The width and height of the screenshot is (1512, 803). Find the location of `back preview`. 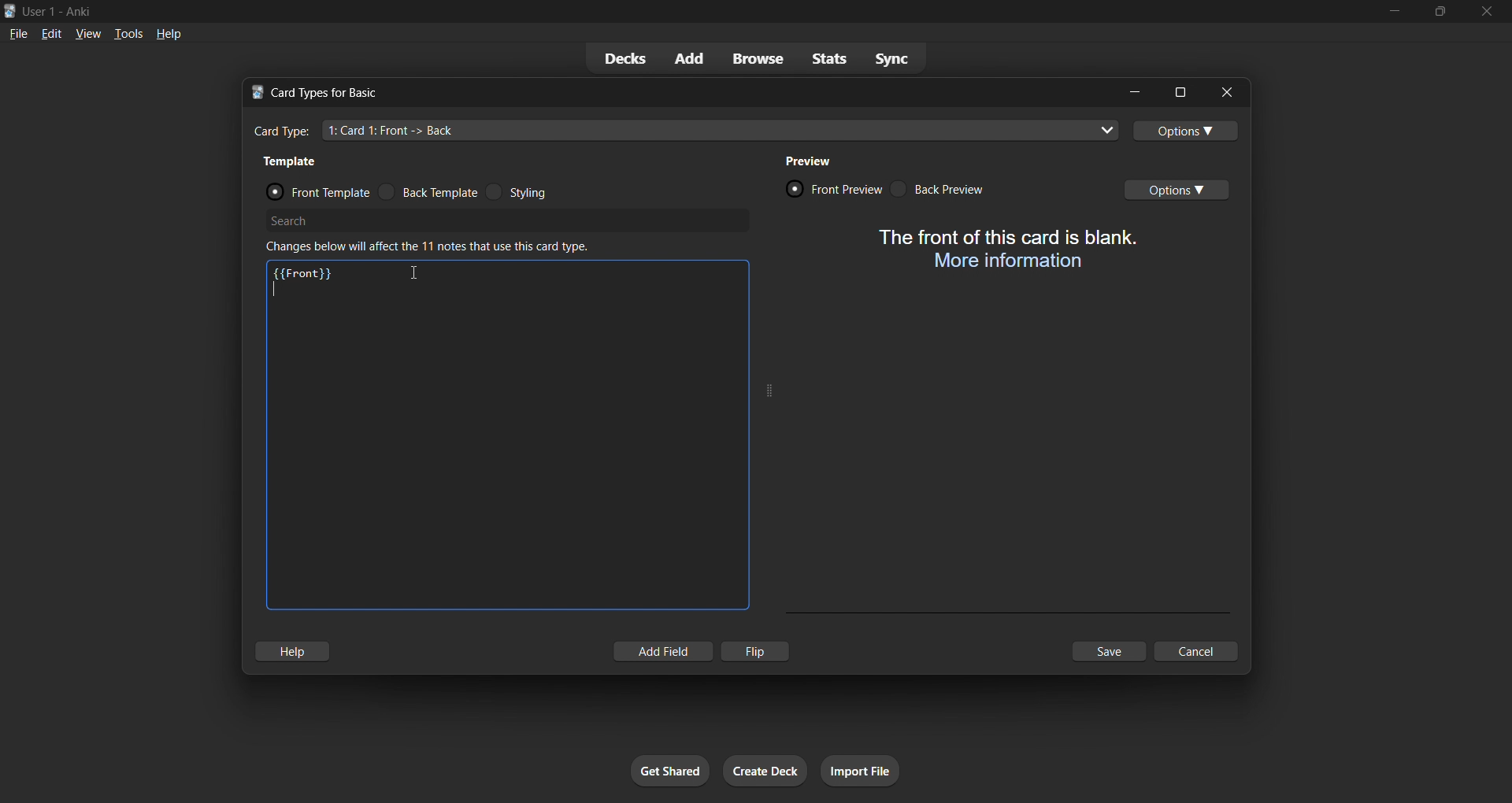

back preview is located at coordinates (949, 190).